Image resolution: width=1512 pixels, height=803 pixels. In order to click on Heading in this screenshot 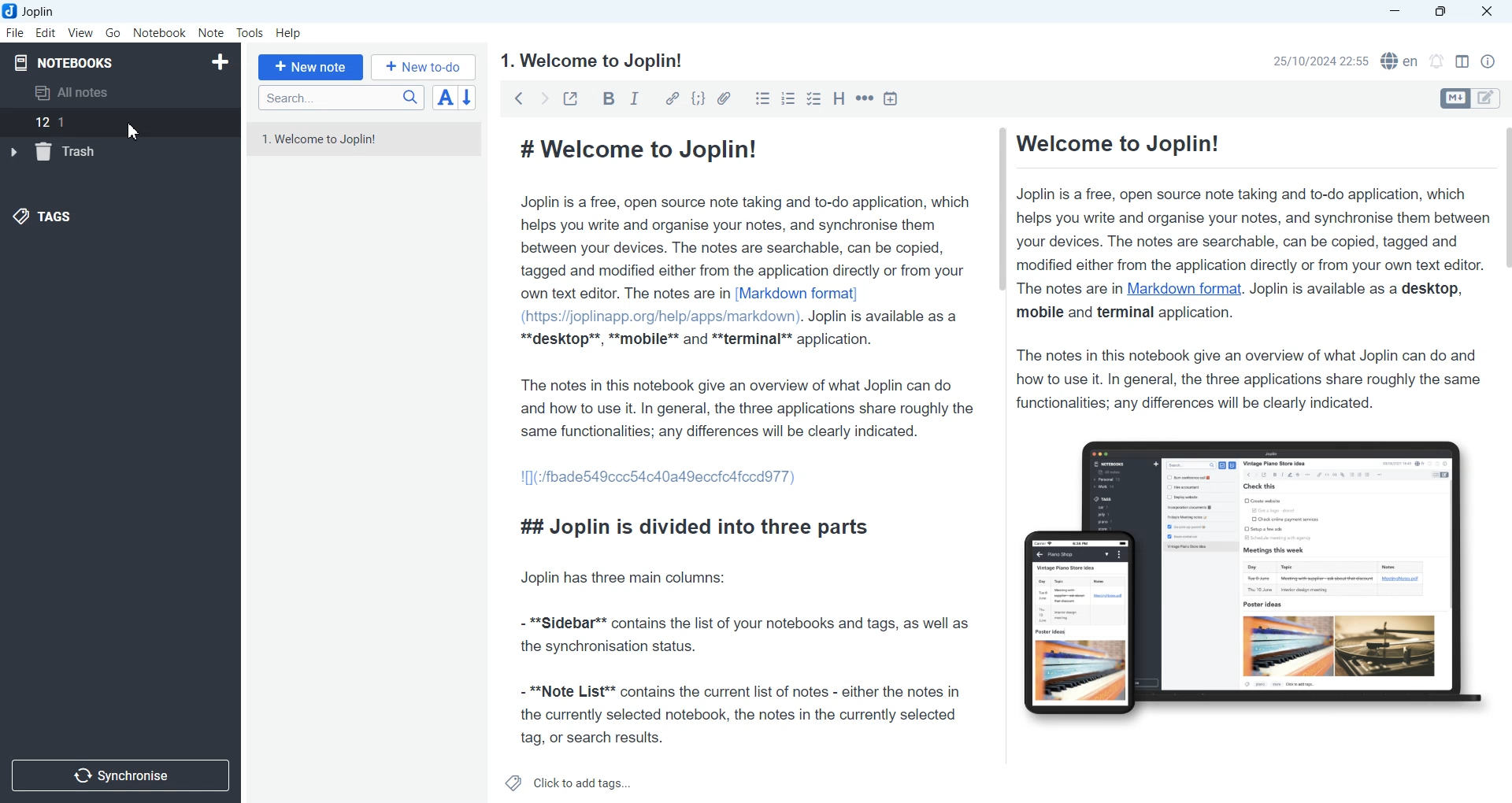, I will do `click(840, 92)`.